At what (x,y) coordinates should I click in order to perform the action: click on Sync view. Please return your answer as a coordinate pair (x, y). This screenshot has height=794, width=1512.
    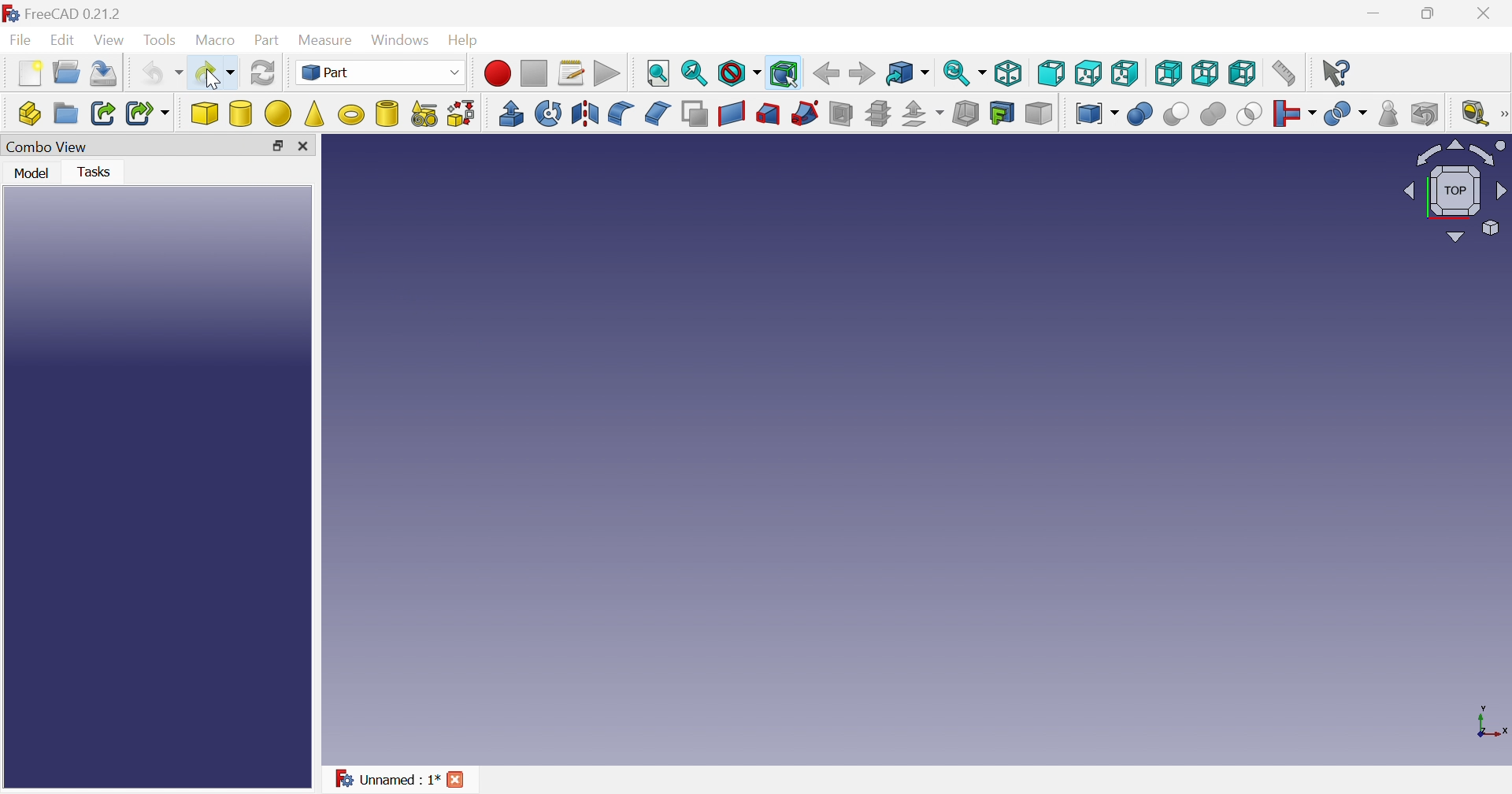
    Looking at the image, I should click on (965, 73).